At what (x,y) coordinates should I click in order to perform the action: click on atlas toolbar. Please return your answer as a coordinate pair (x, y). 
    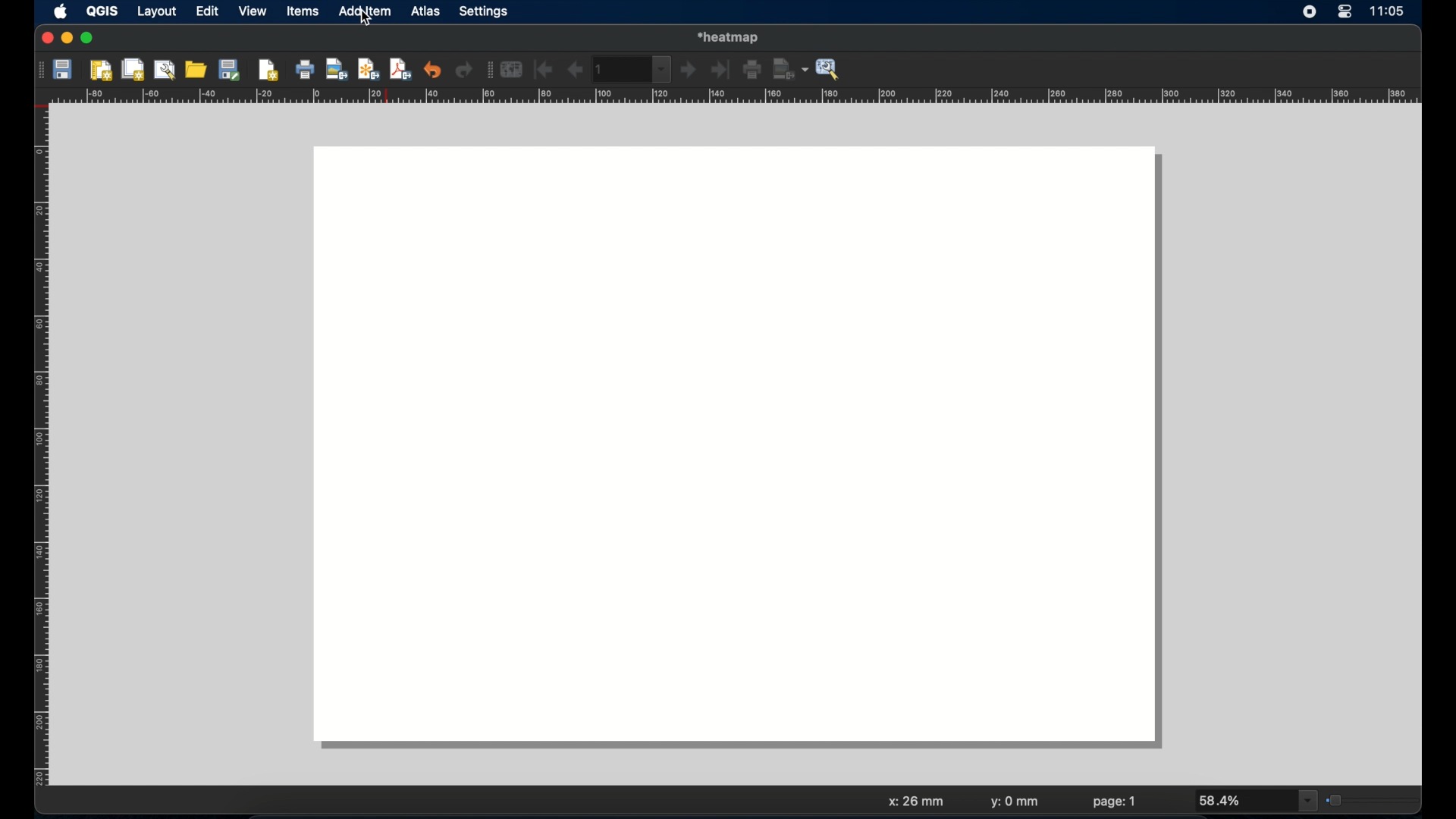
    Looking at the image, I should click on (488, 71).